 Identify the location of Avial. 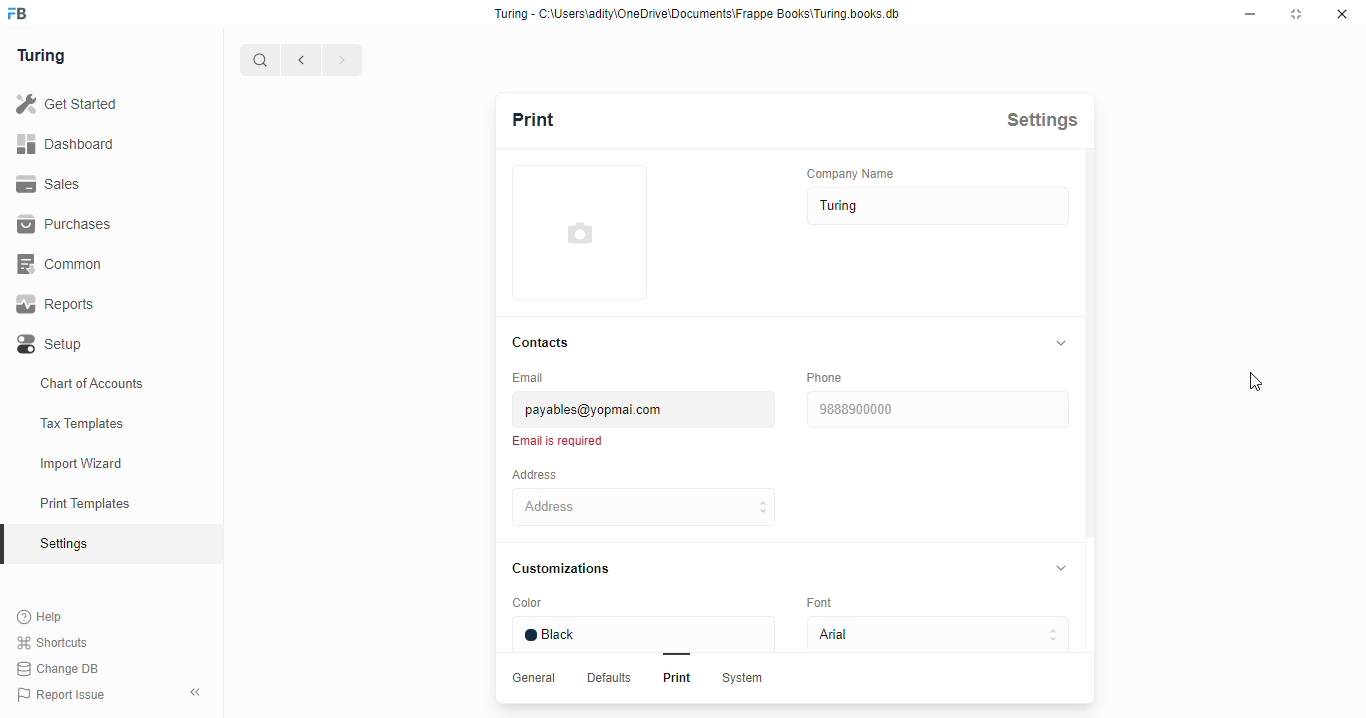
(933, 636).